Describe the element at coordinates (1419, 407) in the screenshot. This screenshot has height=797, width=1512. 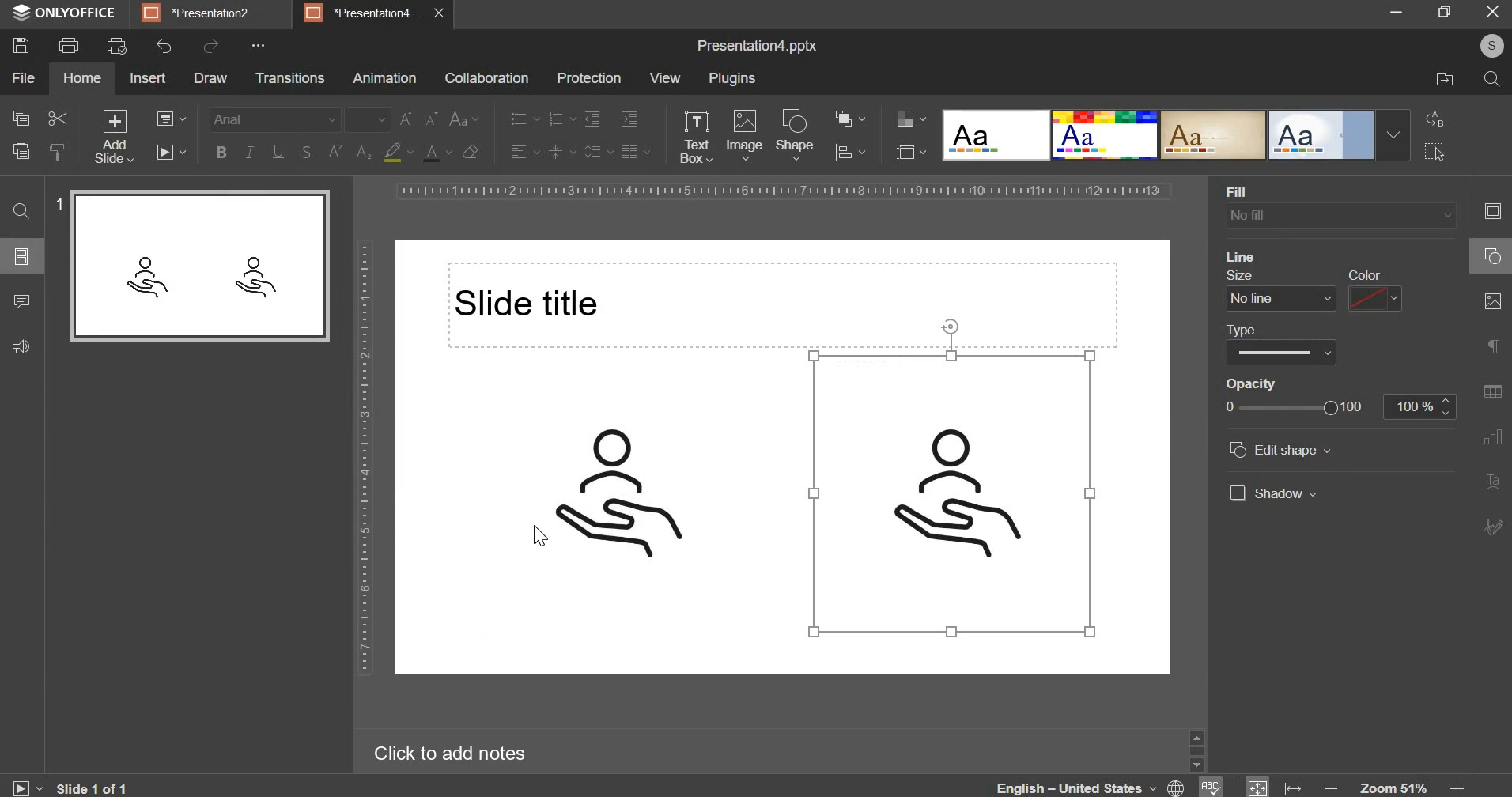
I see `opacity ` at that location.